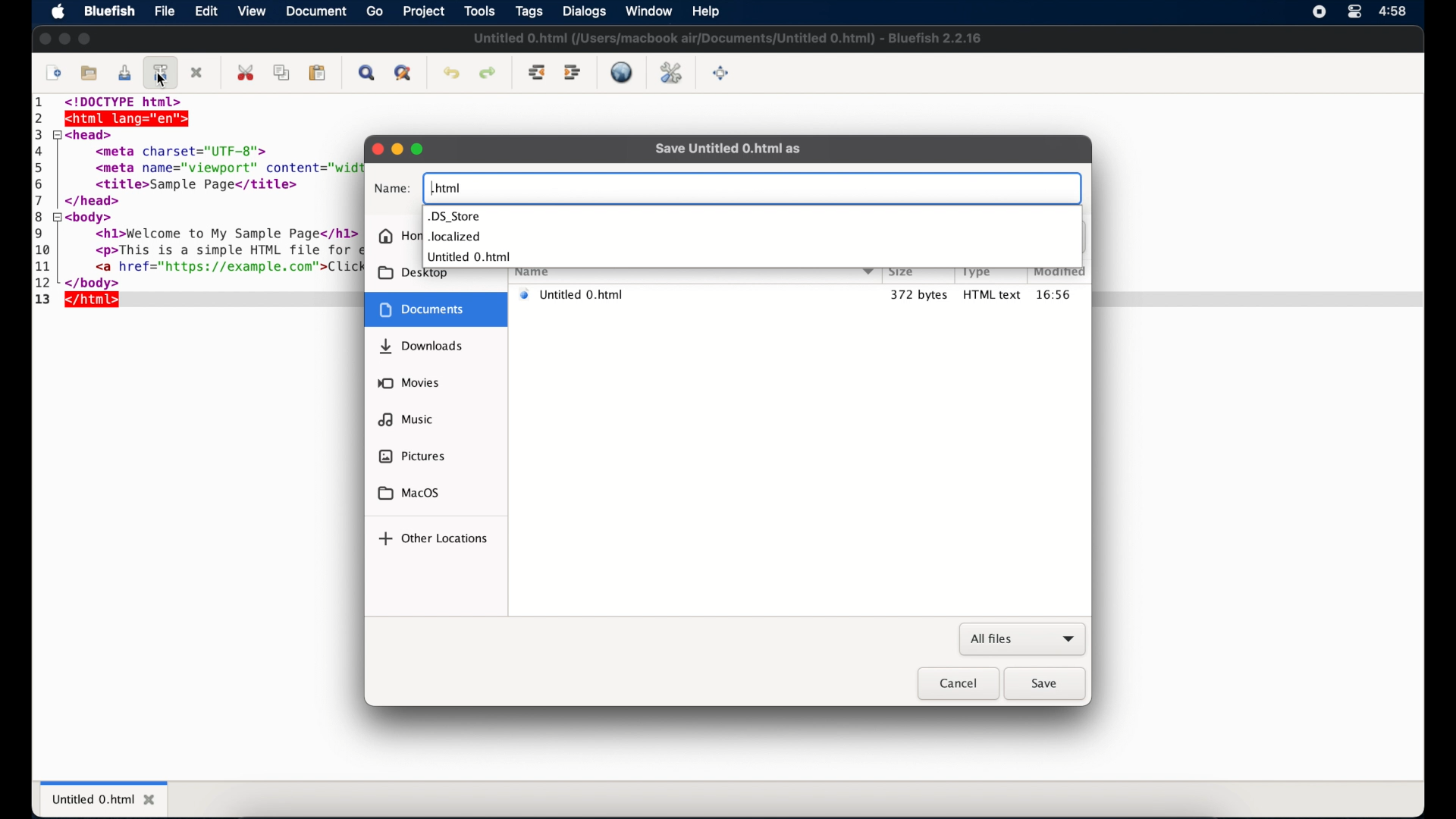 This screenshot has width=1456, height=819. What do you see at coordinates (189, 185) in the screenshot?
I see `<title>Sample Page</title>` at bounding box center [189, 185].